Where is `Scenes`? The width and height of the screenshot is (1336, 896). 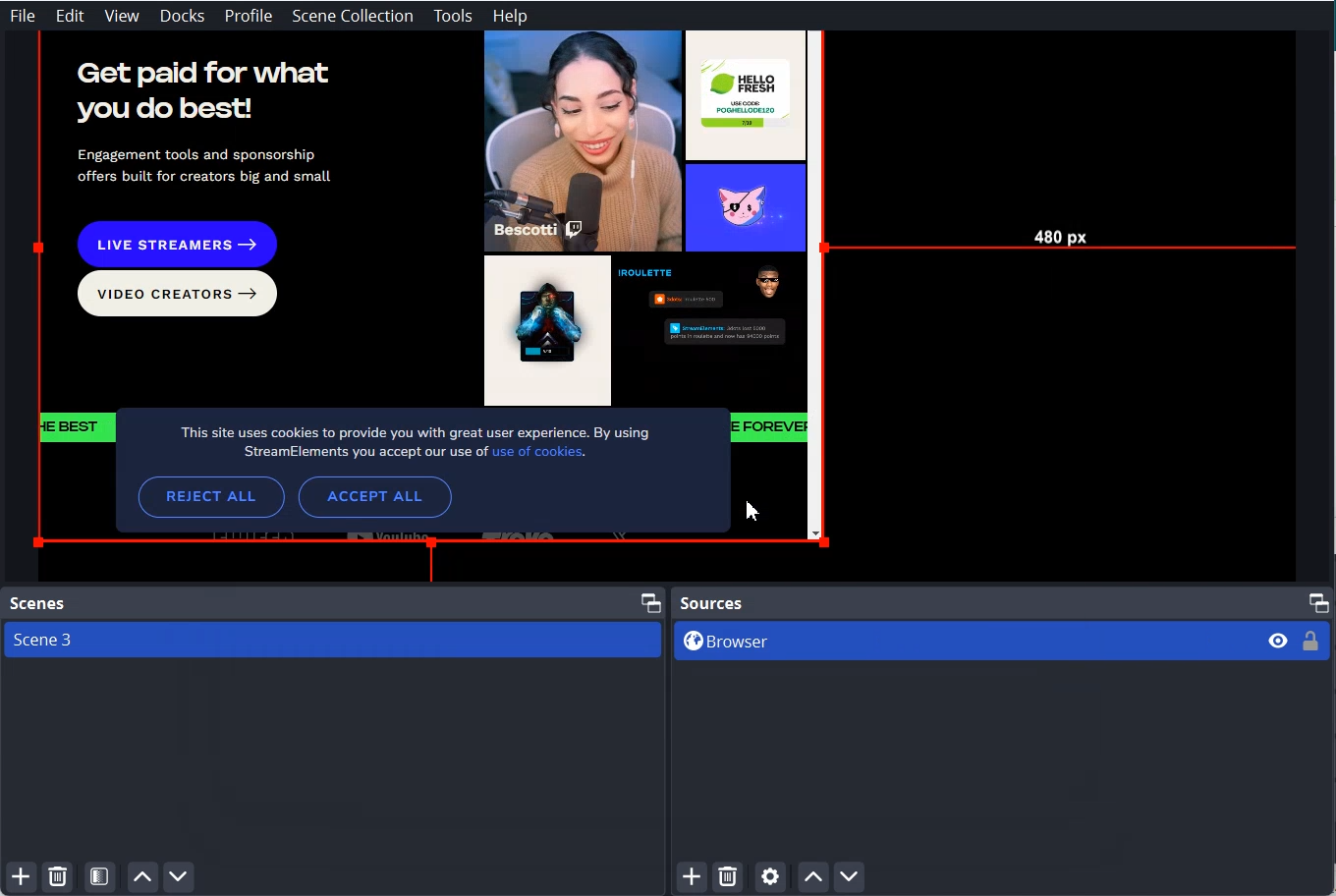
Scenes is located at coordinates (35, 603).